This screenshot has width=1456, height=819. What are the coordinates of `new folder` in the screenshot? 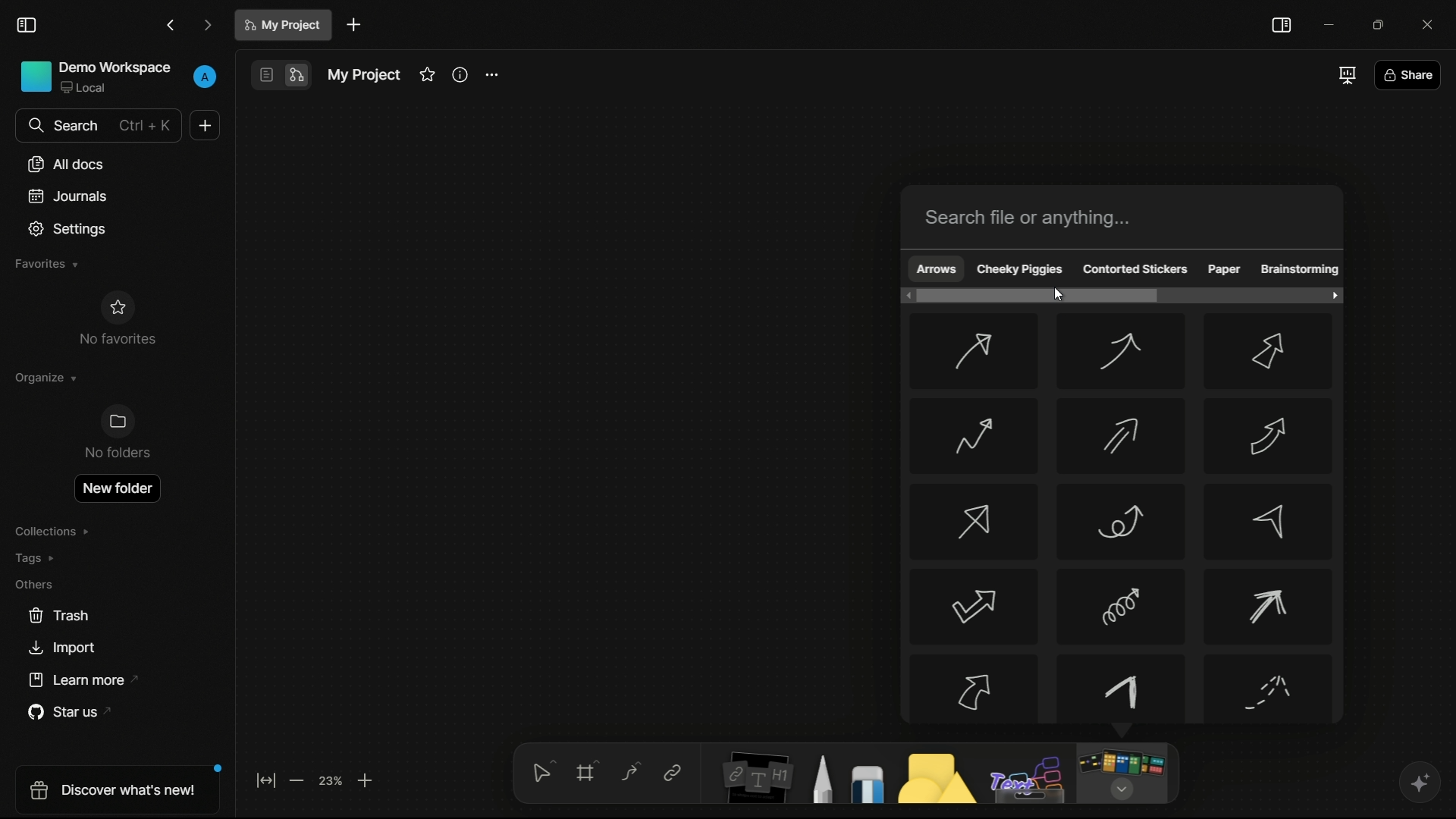 It's located at (116, 488).